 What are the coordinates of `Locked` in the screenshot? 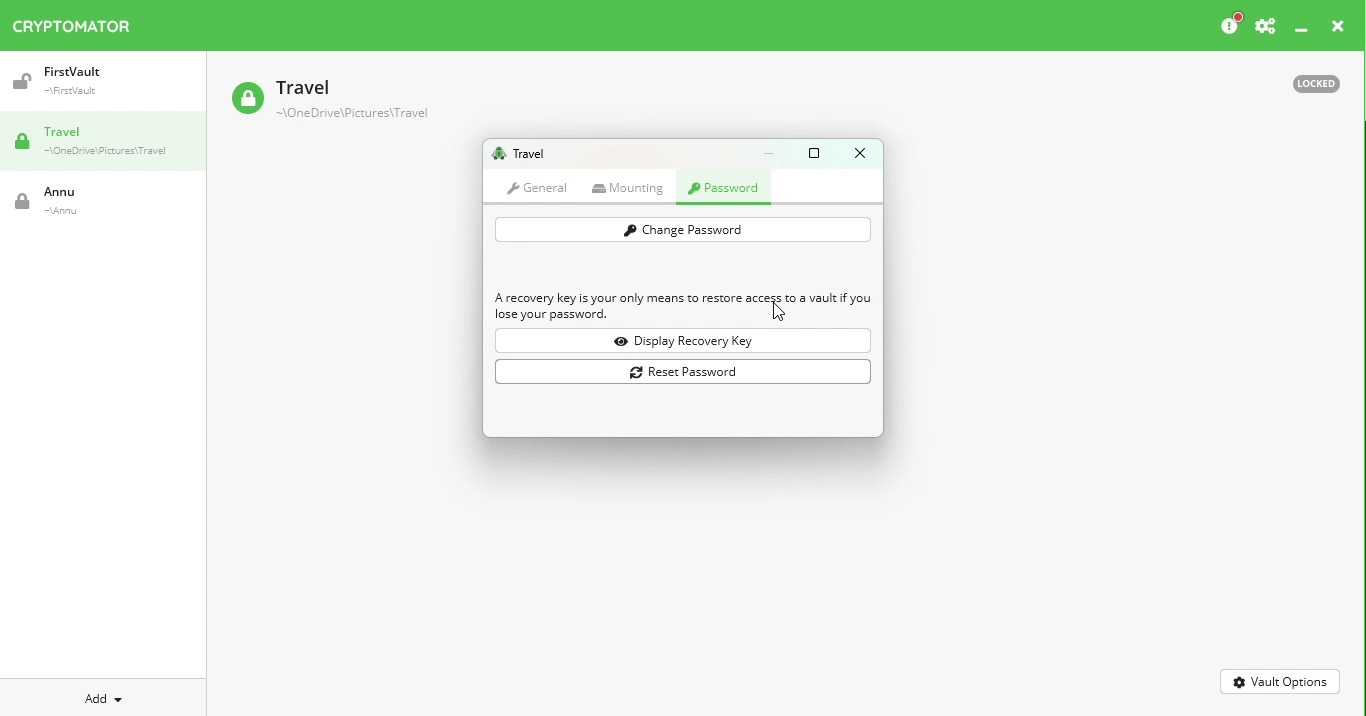 It's located at (1307, 82).